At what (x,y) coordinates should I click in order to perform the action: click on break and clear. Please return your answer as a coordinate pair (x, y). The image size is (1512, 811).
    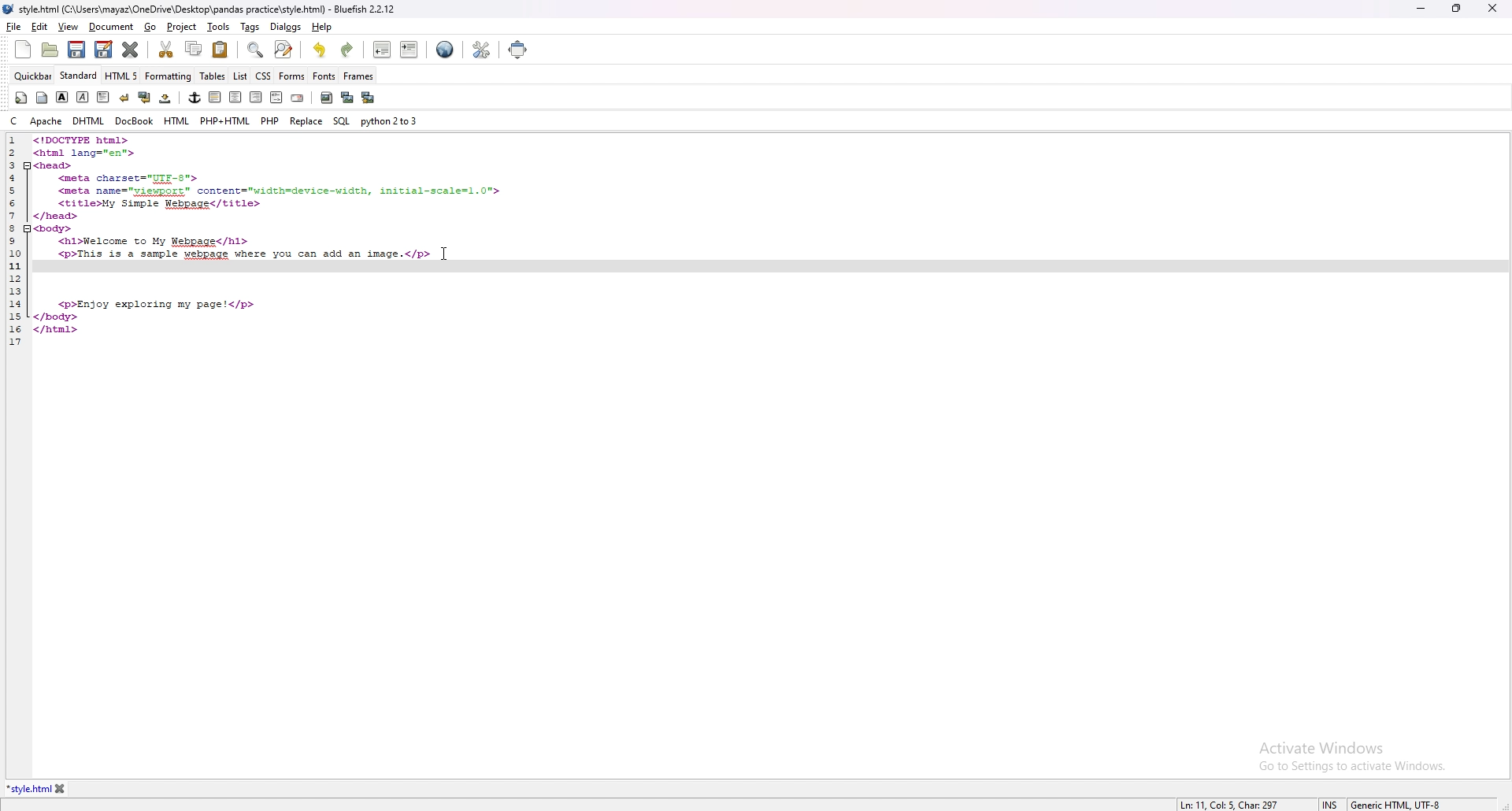
    Looking at the image, I should click on (145, 97).